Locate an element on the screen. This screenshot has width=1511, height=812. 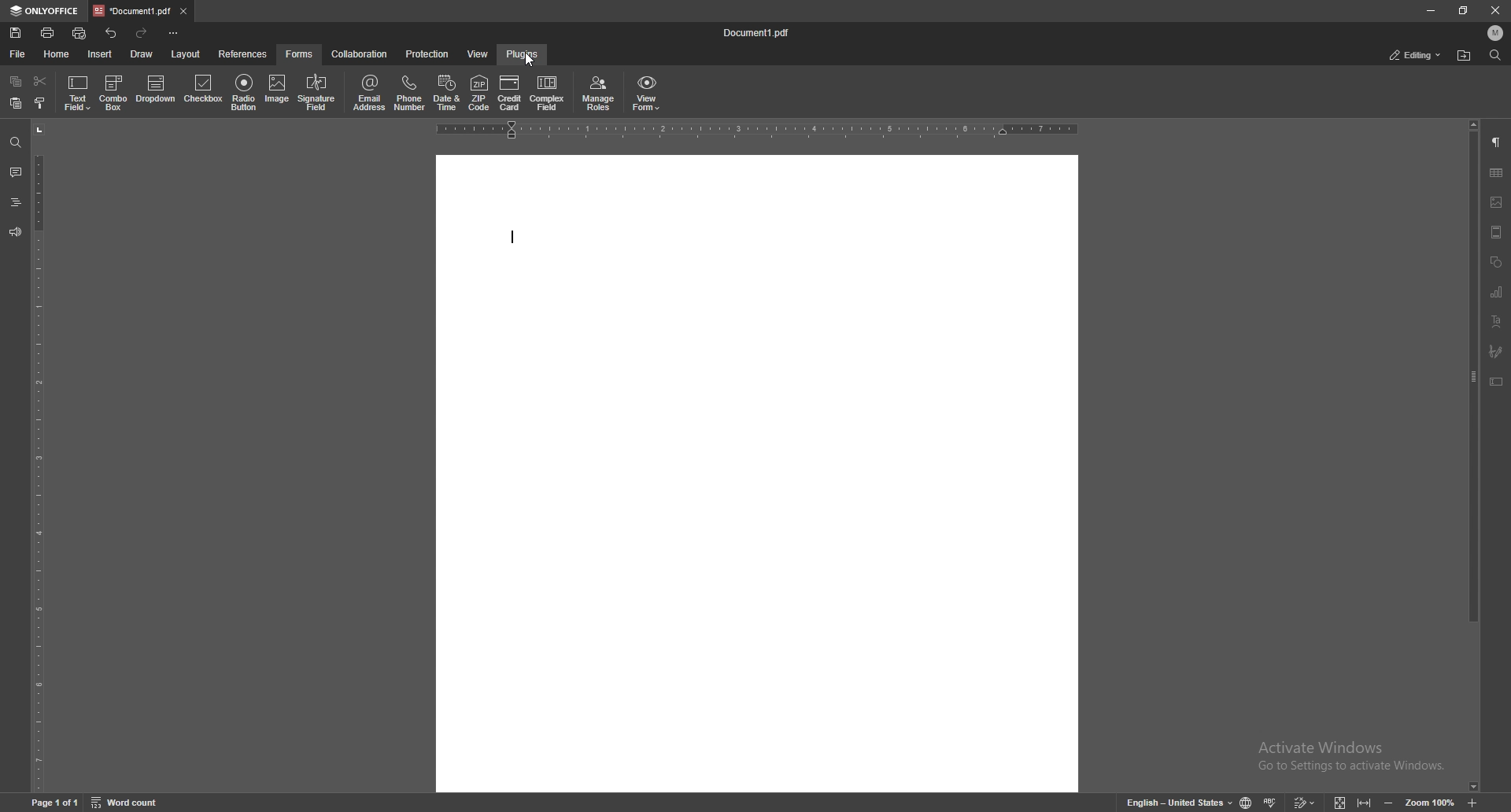
image is located at coordinates (277, 91).